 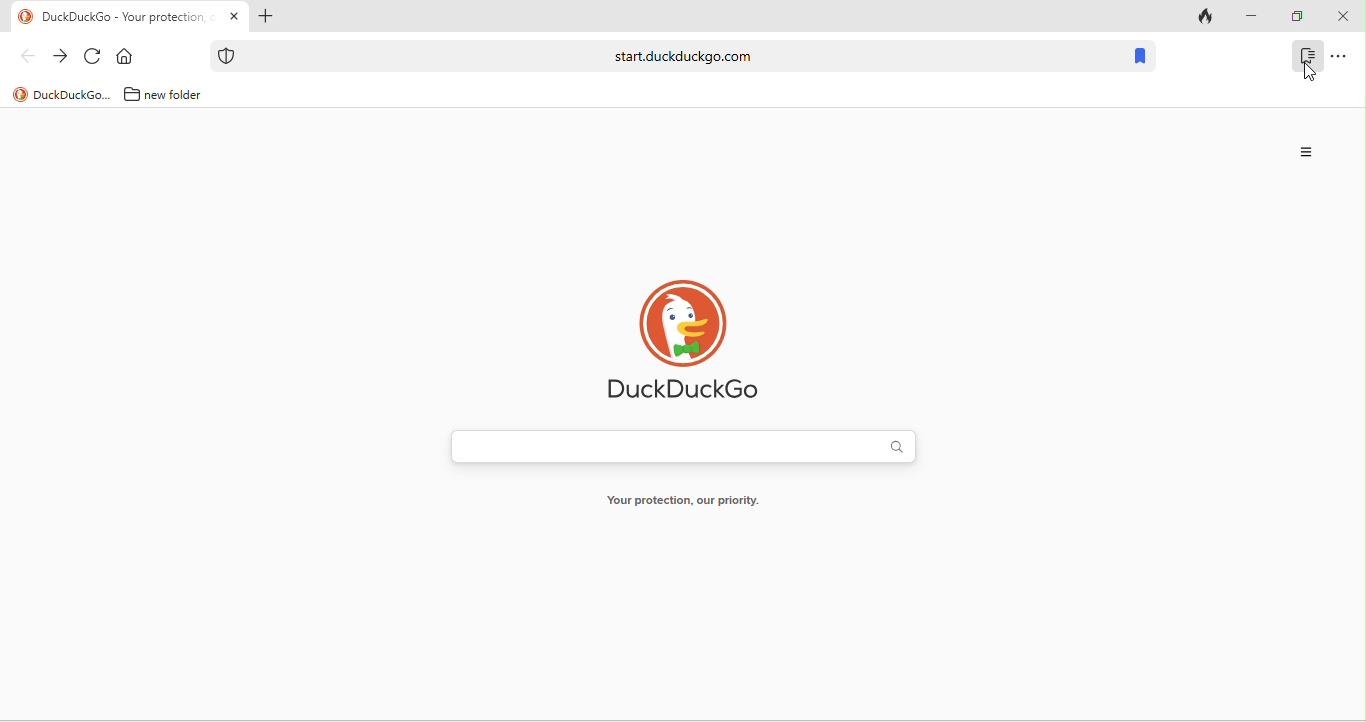 I want to click on bookmarks, so click(x=1139, y=57).